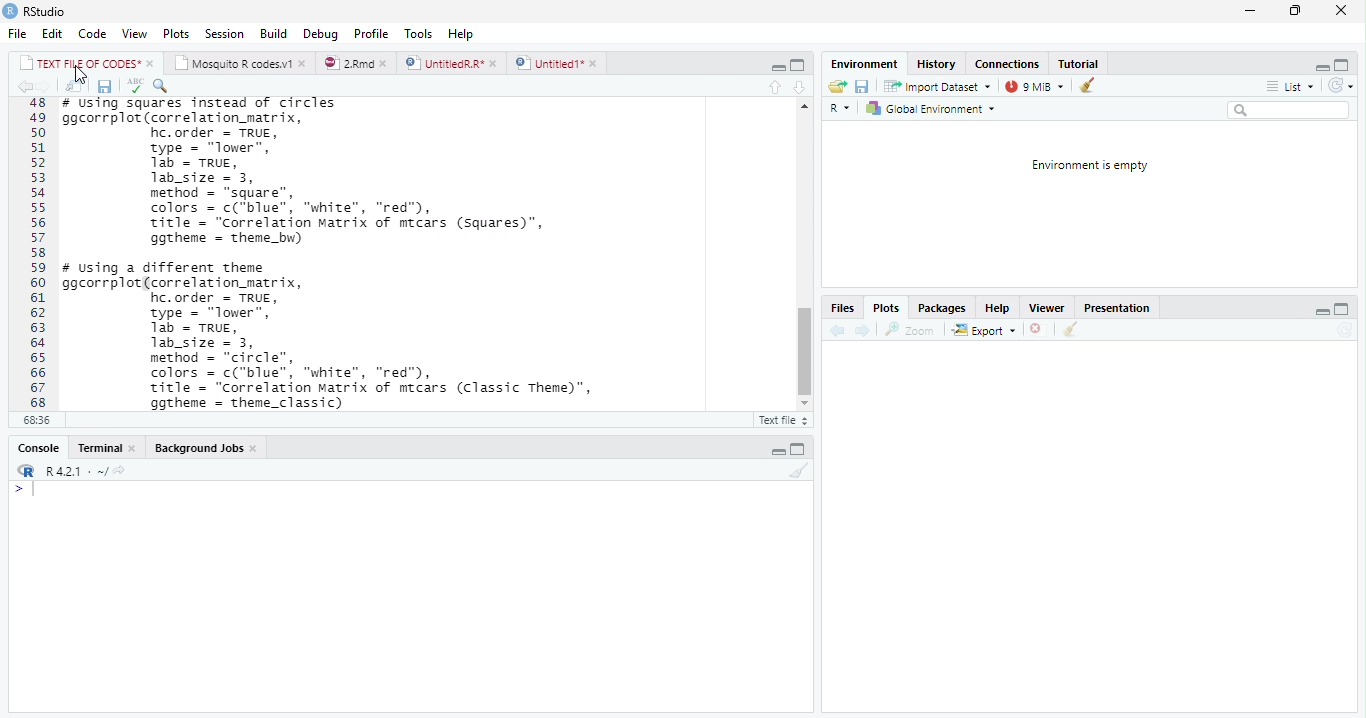 The width and height of the screenshot is (1366, 718). What do you see at coordinates (79, 75) in the screenshot?
I see `cursor` at bounding box center [79, 75].